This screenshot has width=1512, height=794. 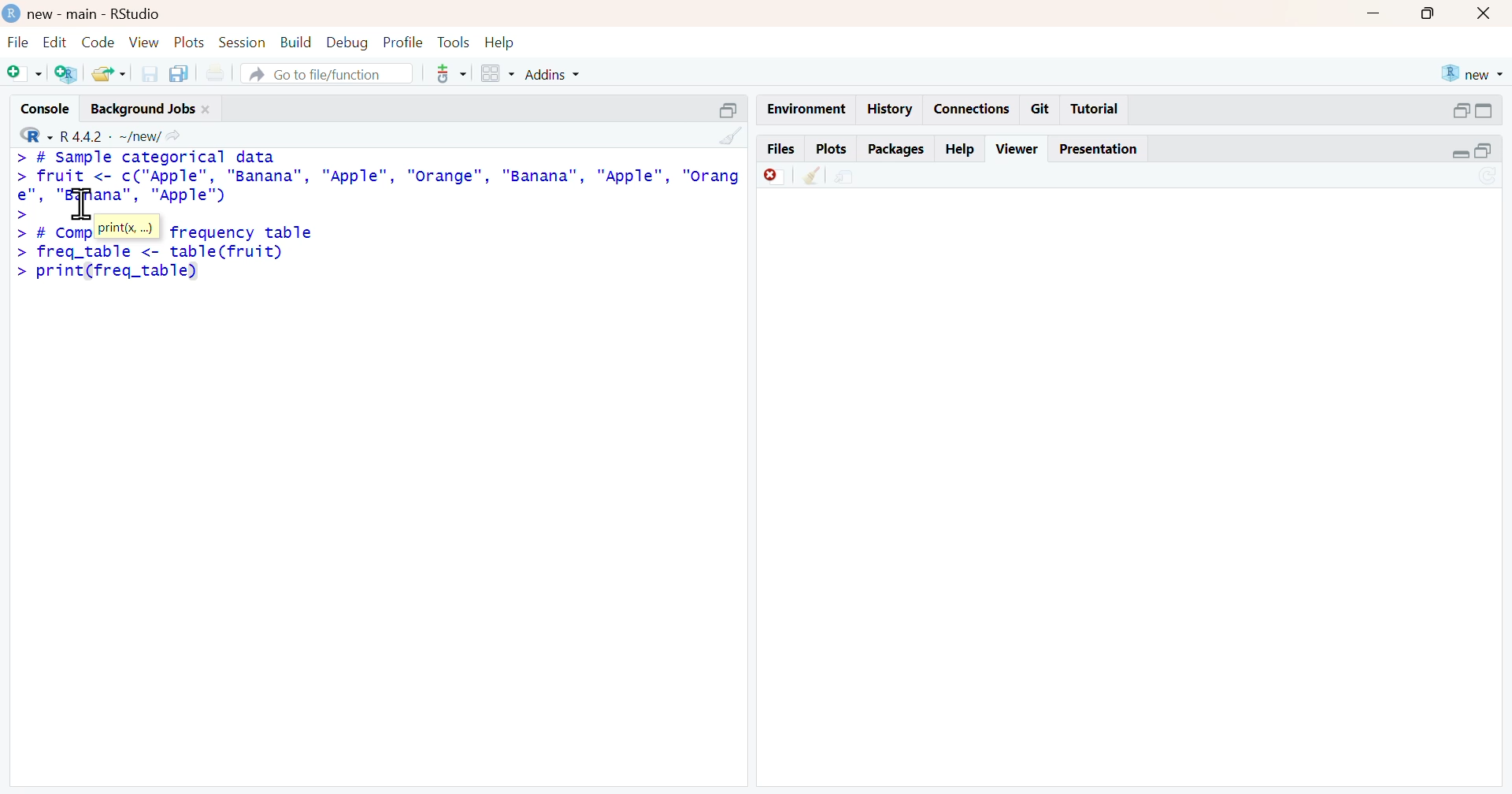 What do you see at coordinates (348, 43) in the screenshot?
I see `debug` at bounding box center [348, 43].